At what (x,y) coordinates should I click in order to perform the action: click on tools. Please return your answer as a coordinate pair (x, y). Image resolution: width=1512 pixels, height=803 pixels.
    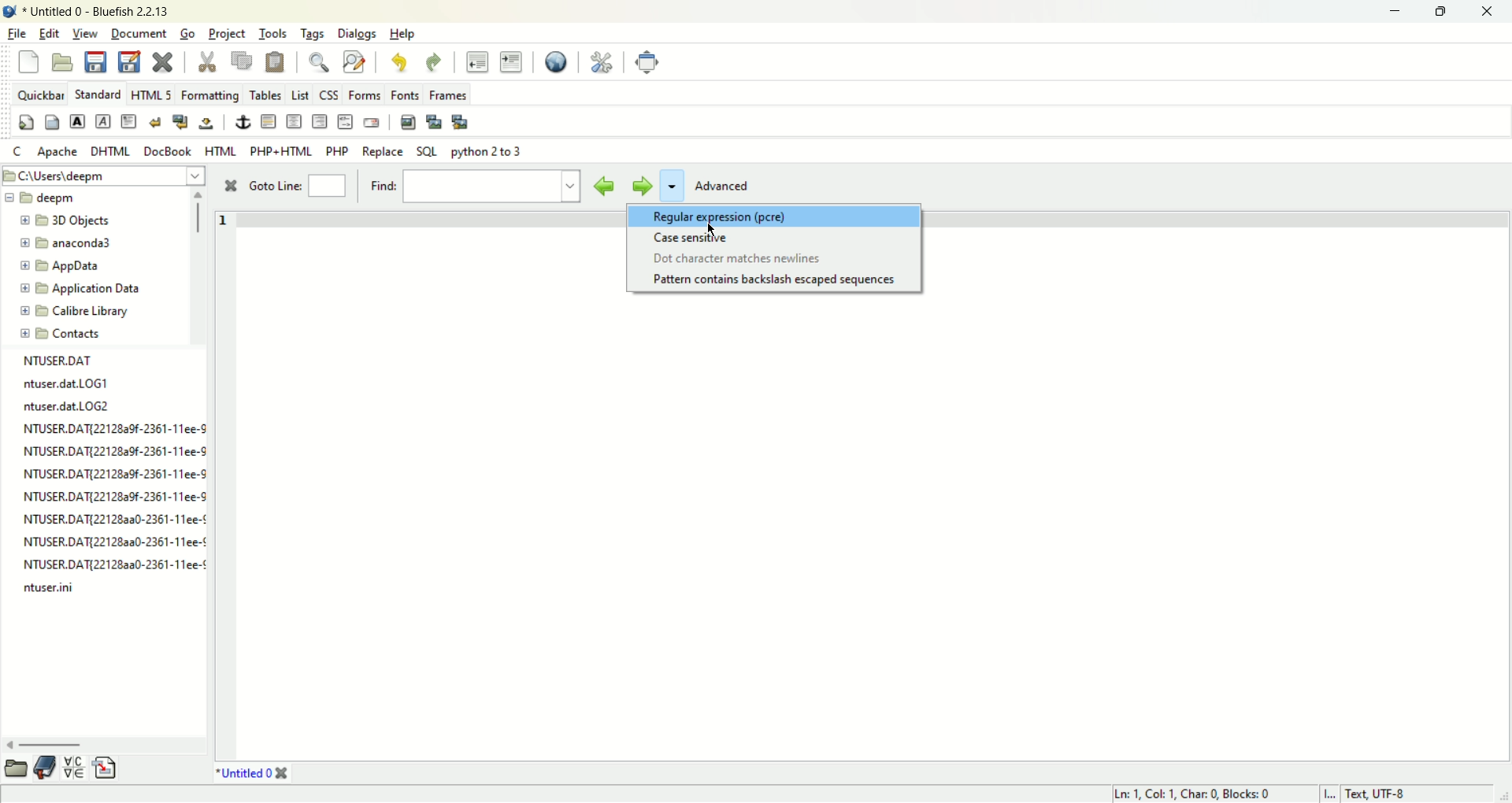
    Looking at the image, I should click on (275, 35).